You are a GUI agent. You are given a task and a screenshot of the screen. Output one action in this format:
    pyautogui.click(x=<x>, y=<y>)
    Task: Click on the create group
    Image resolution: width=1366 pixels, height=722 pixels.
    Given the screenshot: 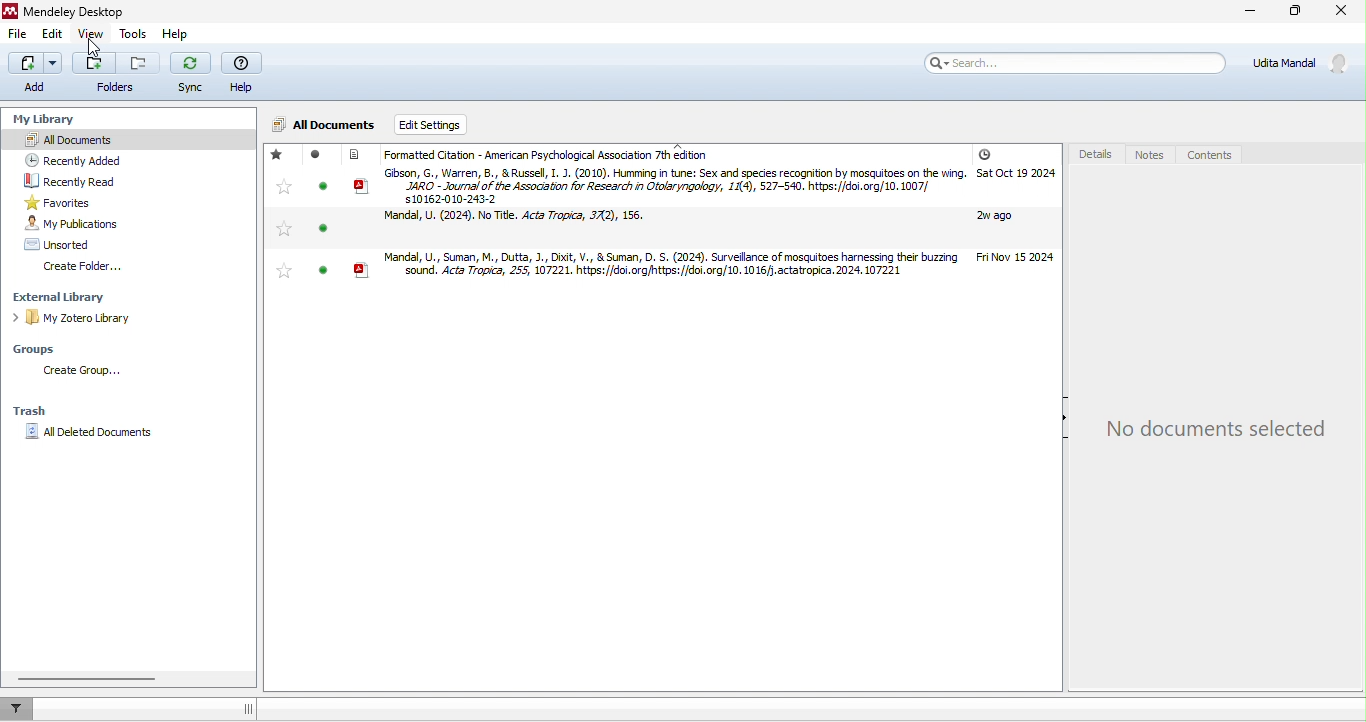 What is the action you would take?
    pyautogui.click(x=88, y=373)
    